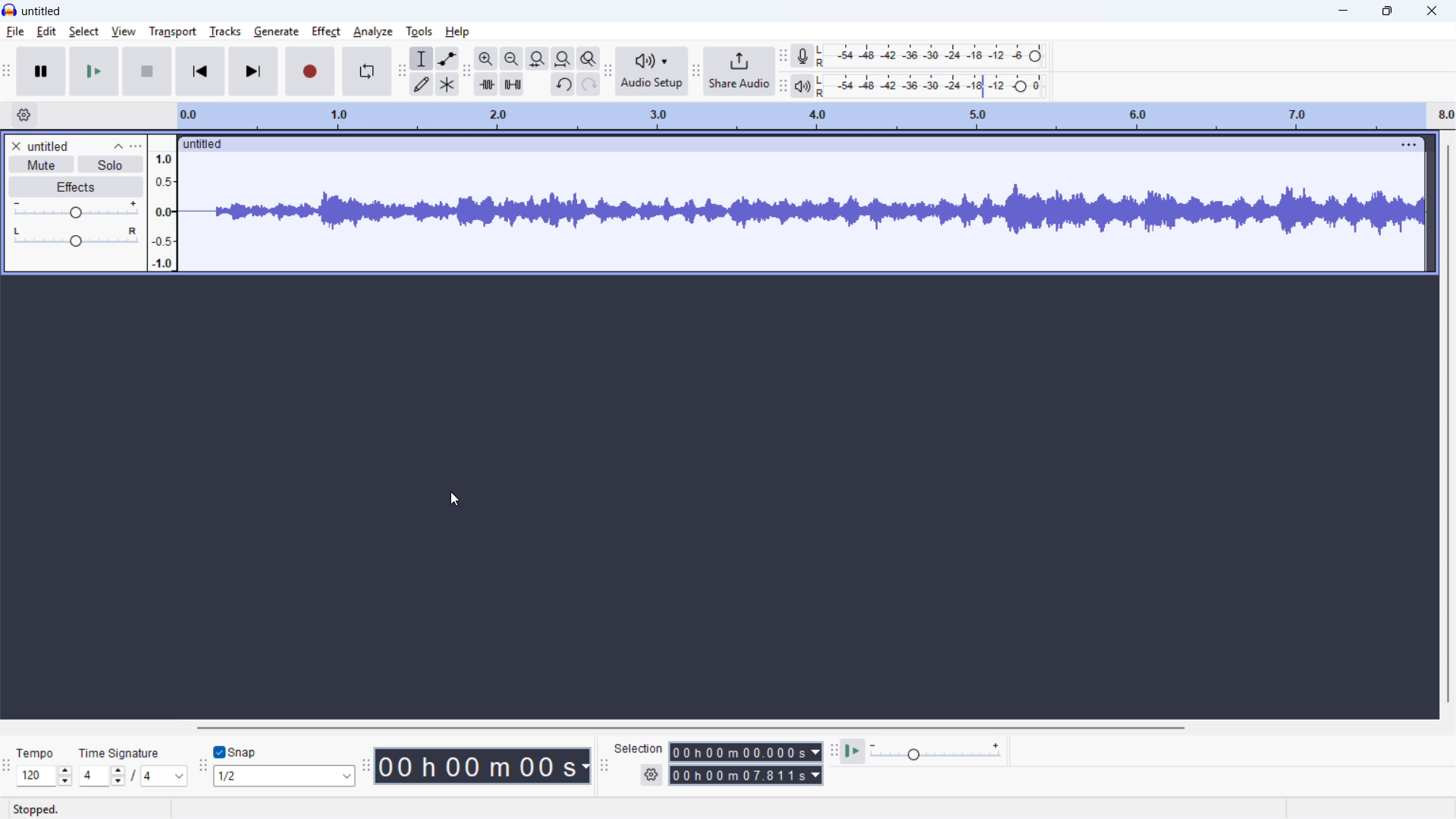 The image size is (1456, 819). I want to click on fit project to width, so click(563, 59).